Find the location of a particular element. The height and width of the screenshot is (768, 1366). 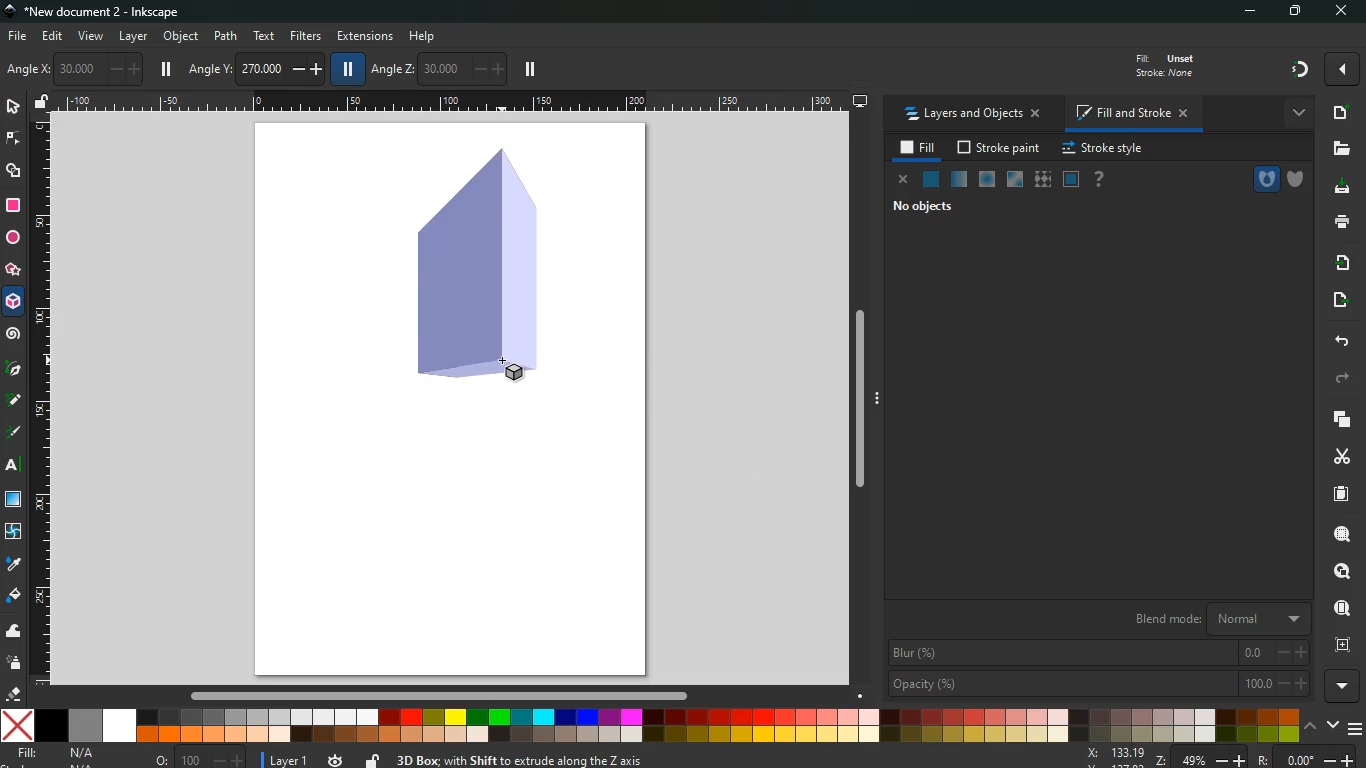

minimize is located at coordinates (1255, 12).